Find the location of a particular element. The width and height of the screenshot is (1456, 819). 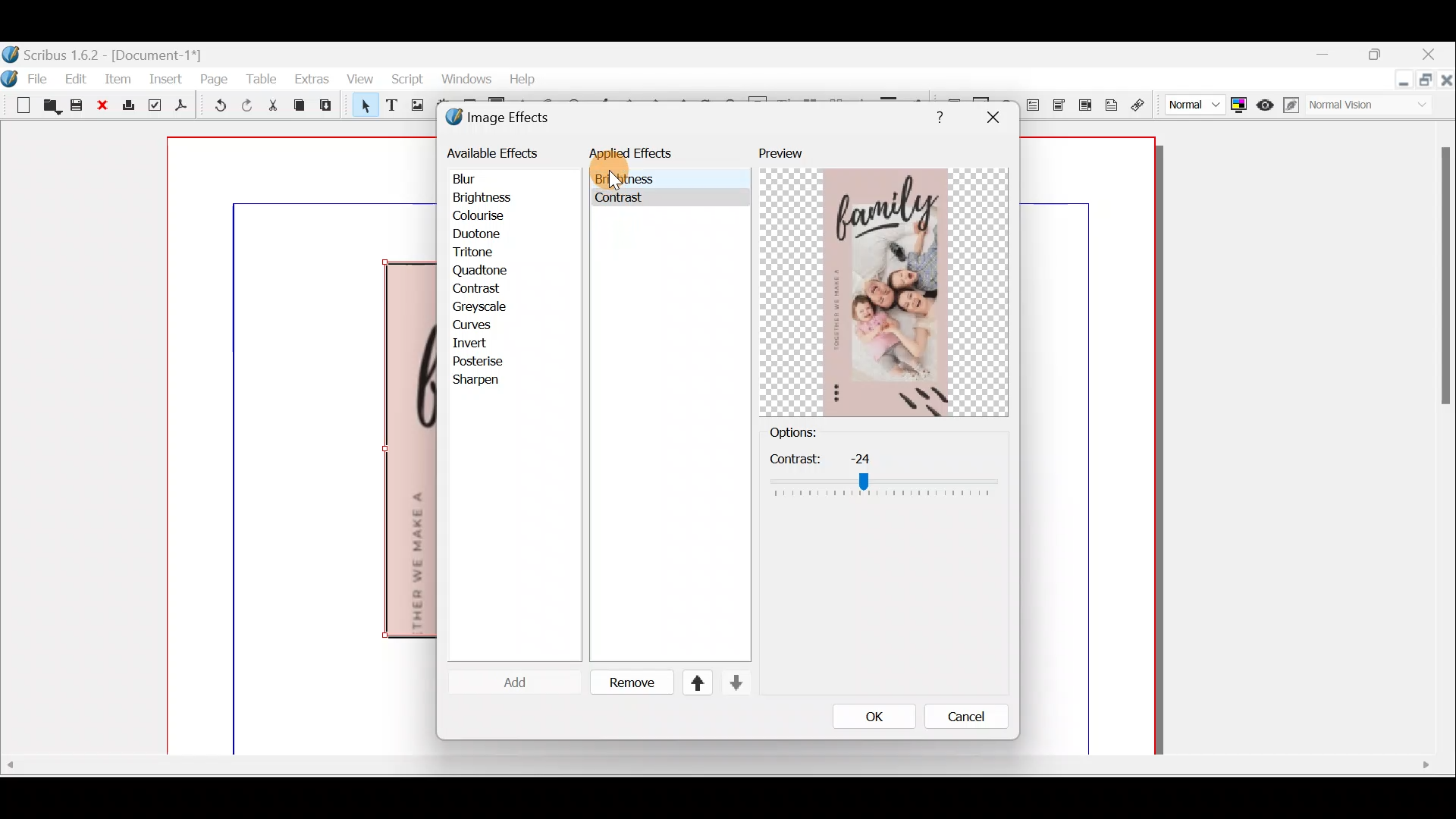

Duotone is located at coordinates (480, 236).